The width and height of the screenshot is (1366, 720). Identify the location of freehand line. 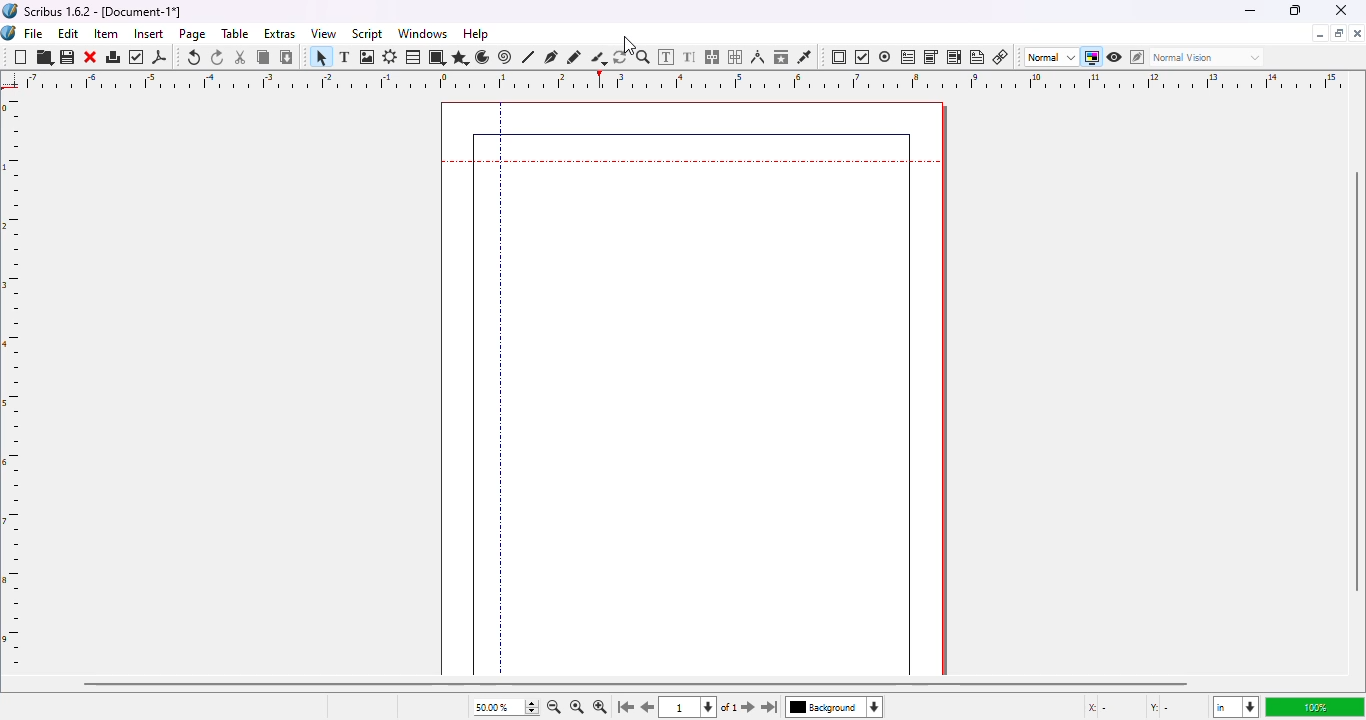
(574, 57).